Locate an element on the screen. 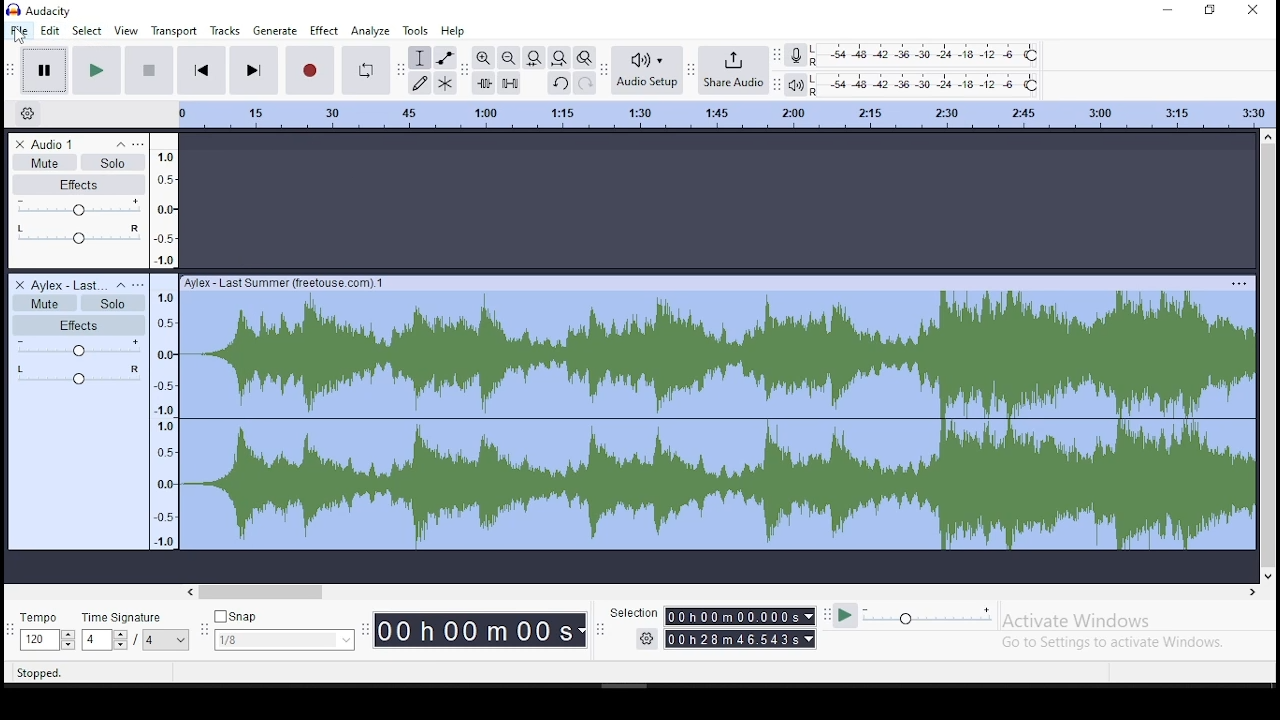 This screenshot has width=1280, height=720. open menu is located at coordinates (141, 284).